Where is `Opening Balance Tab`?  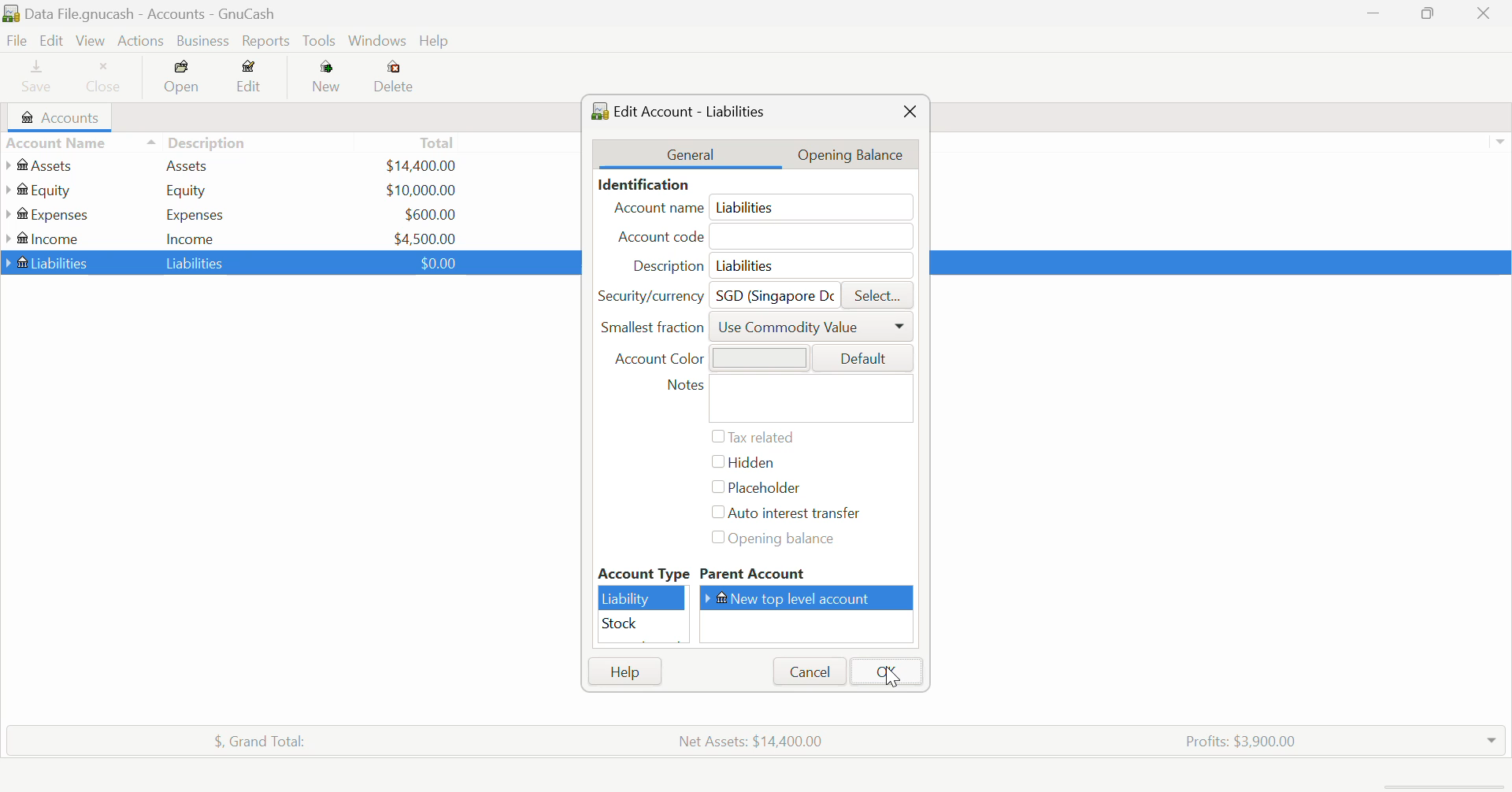
Opening Balance Tab is located at coordinates (860, 154).